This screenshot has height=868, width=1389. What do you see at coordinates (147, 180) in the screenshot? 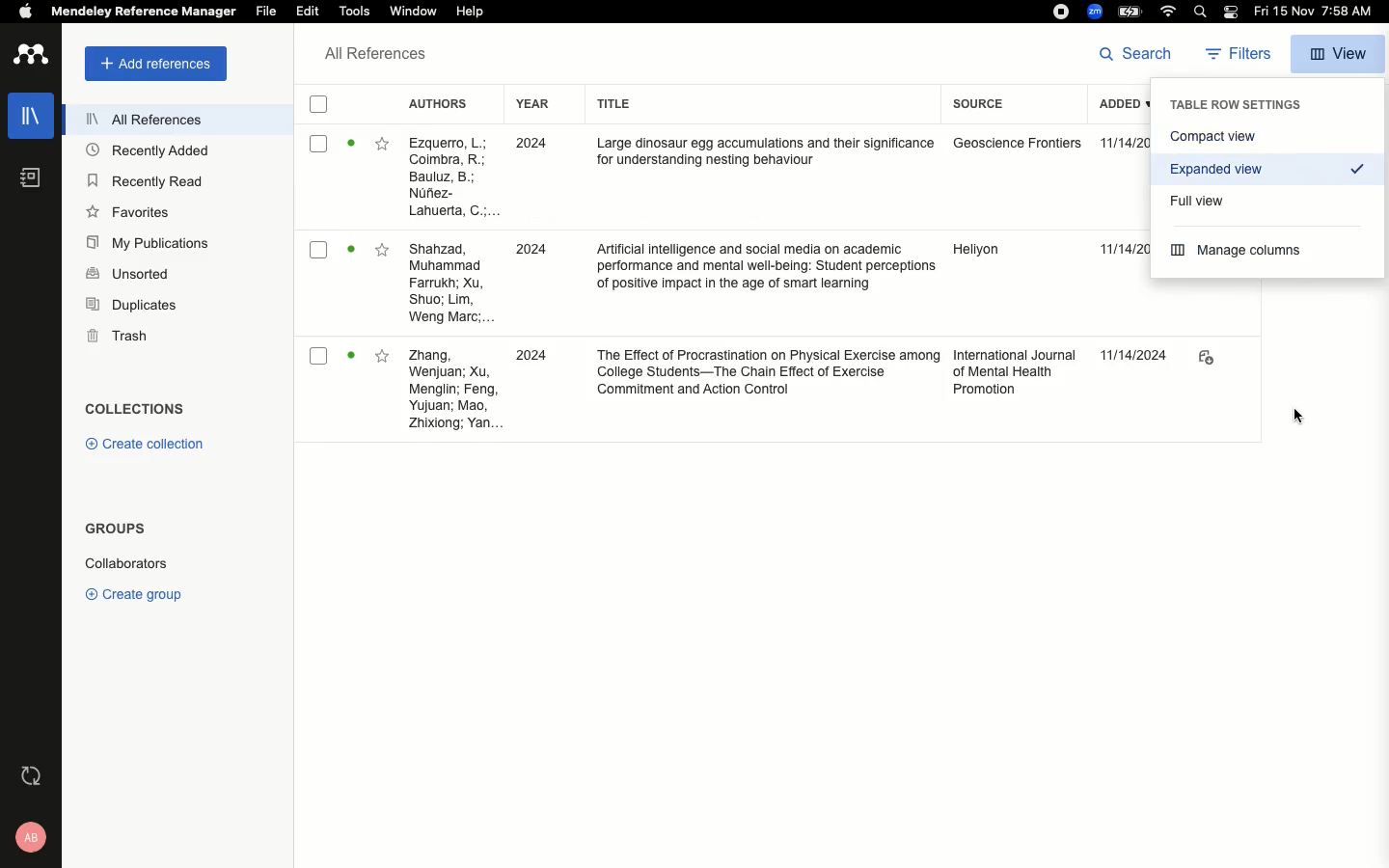
I see `Recently read` at bounding box center [147, 180].